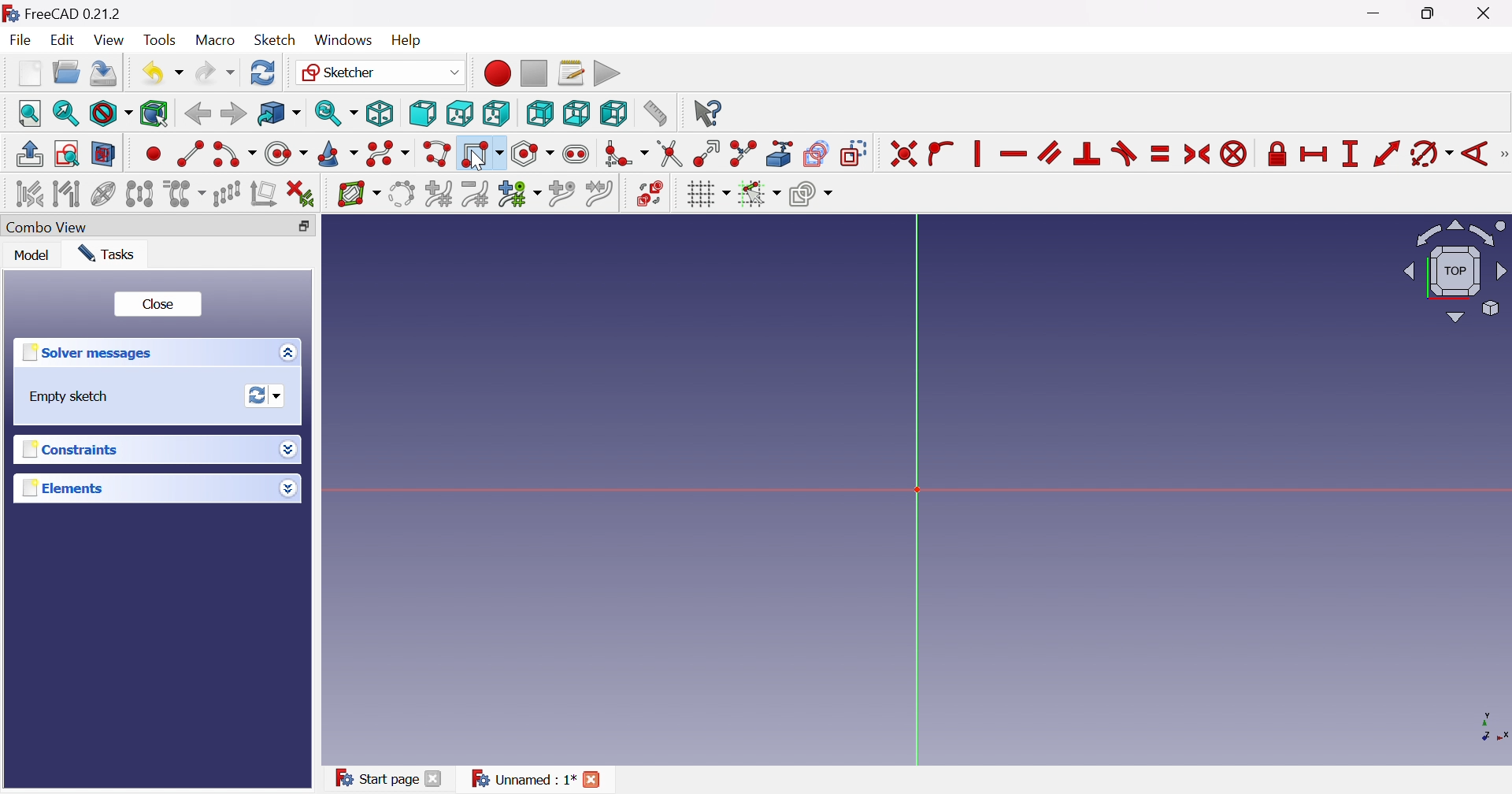 This screenshot has width=1512, height=794. I want to click on Constrain coincident, so click(902, 154).